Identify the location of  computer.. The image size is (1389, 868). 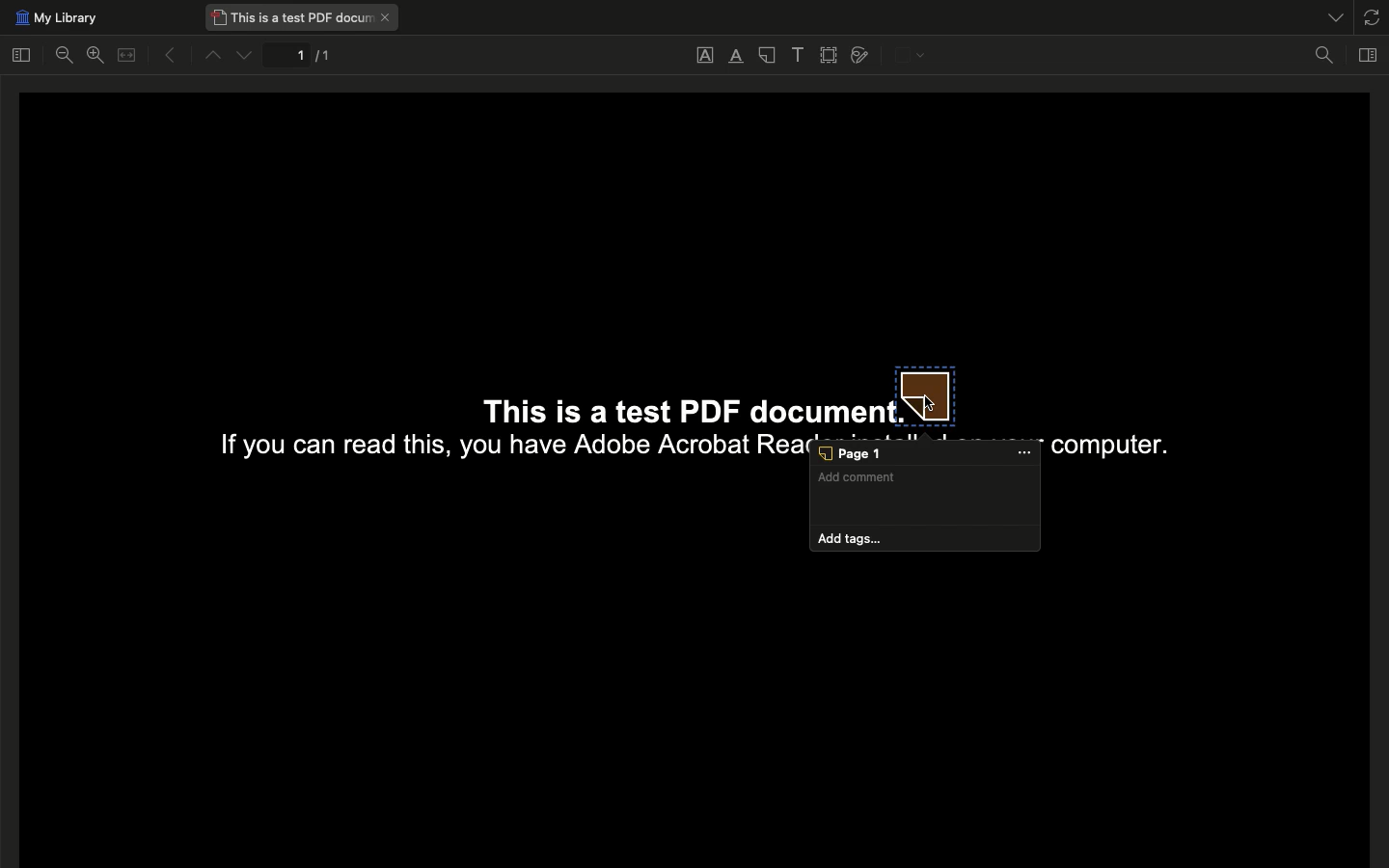
(1106, 446).